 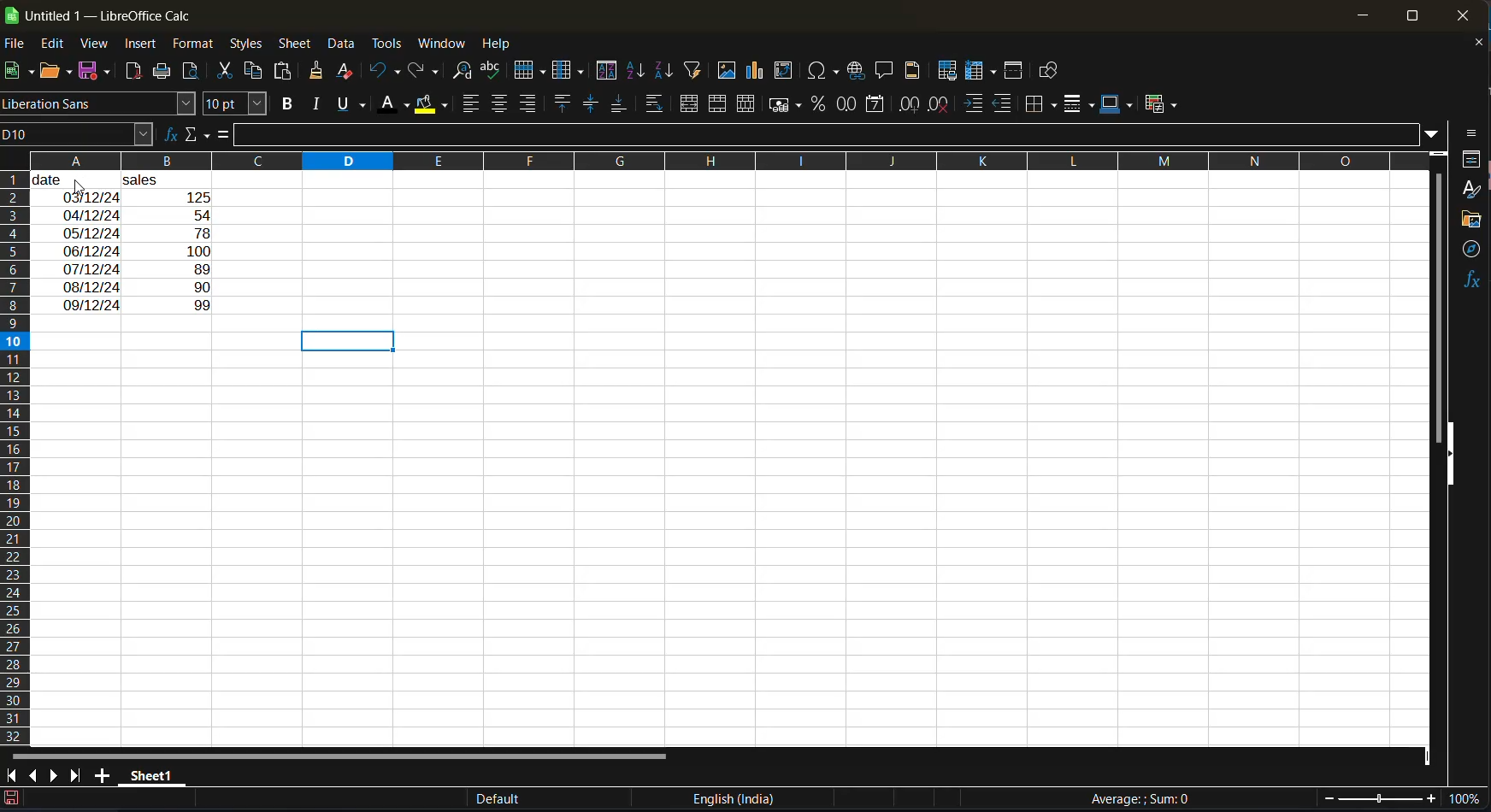 What do you see at coordinates (886, 72) in the screenshot?
I see `insert comment` at bounding box center [886, 72].